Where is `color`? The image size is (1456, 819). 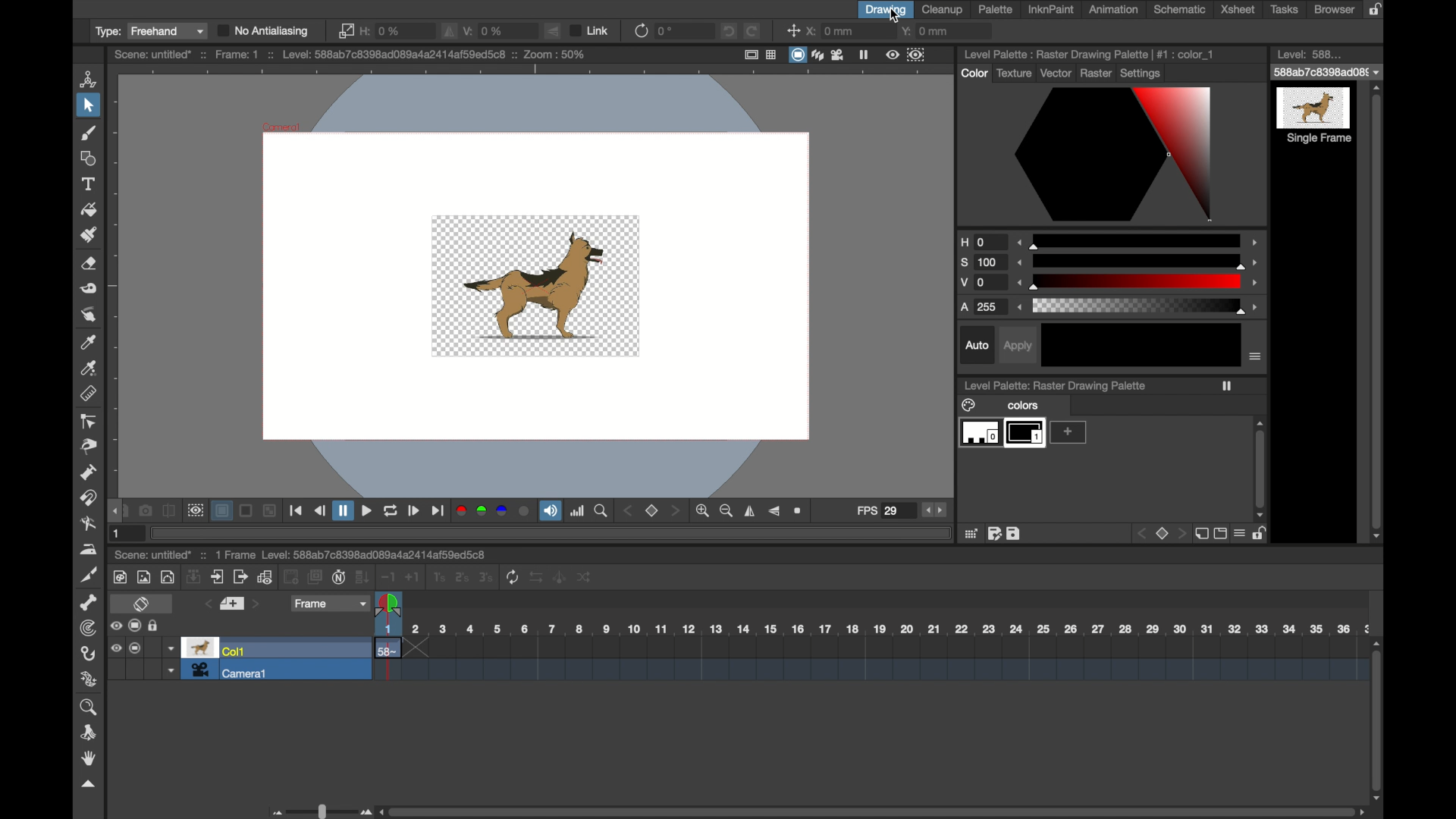
color is located at coordinates (971, 406).